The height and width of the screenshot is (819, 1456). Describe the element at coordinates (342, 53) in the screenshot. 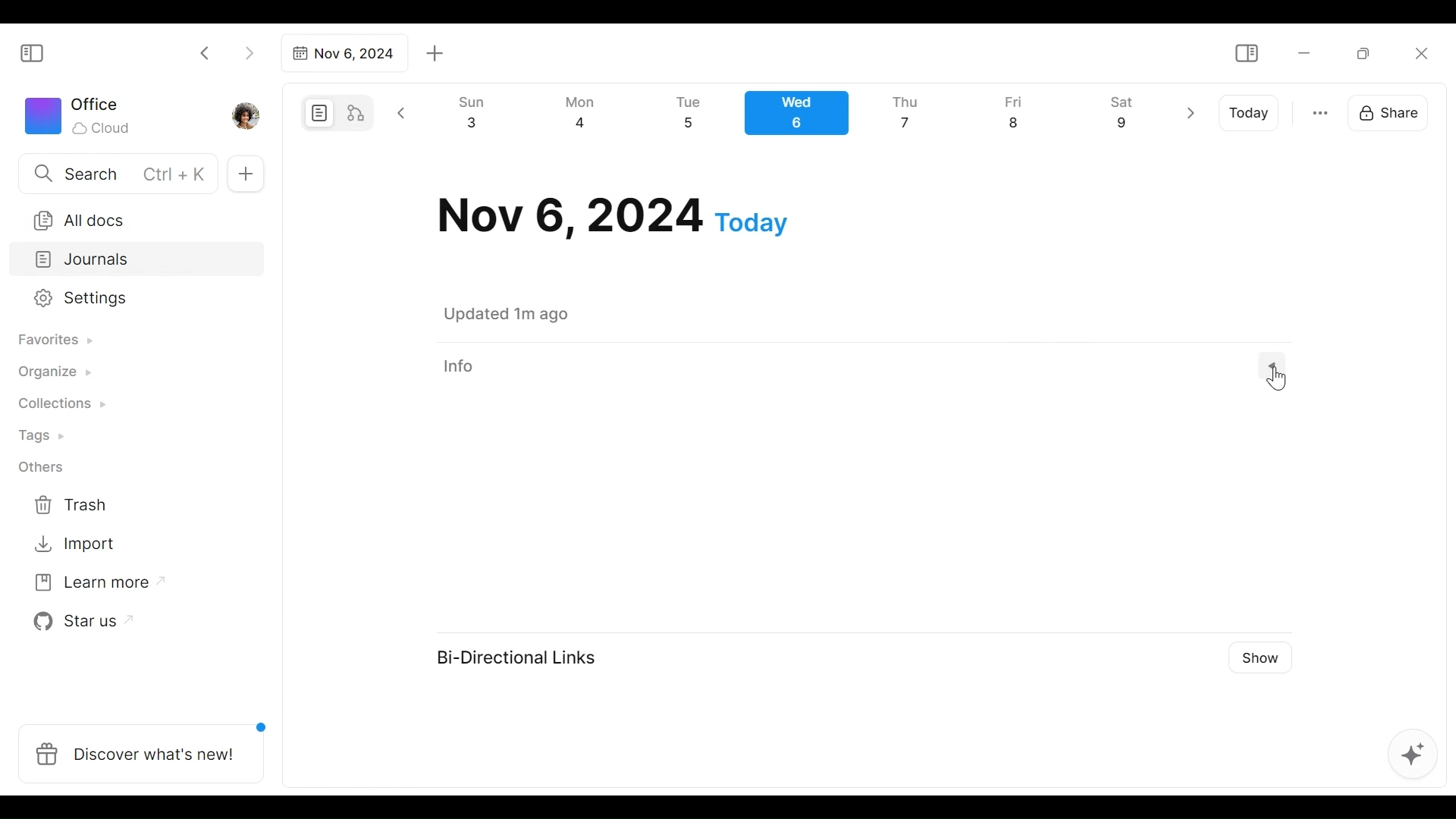

I see `Tab` at that location.